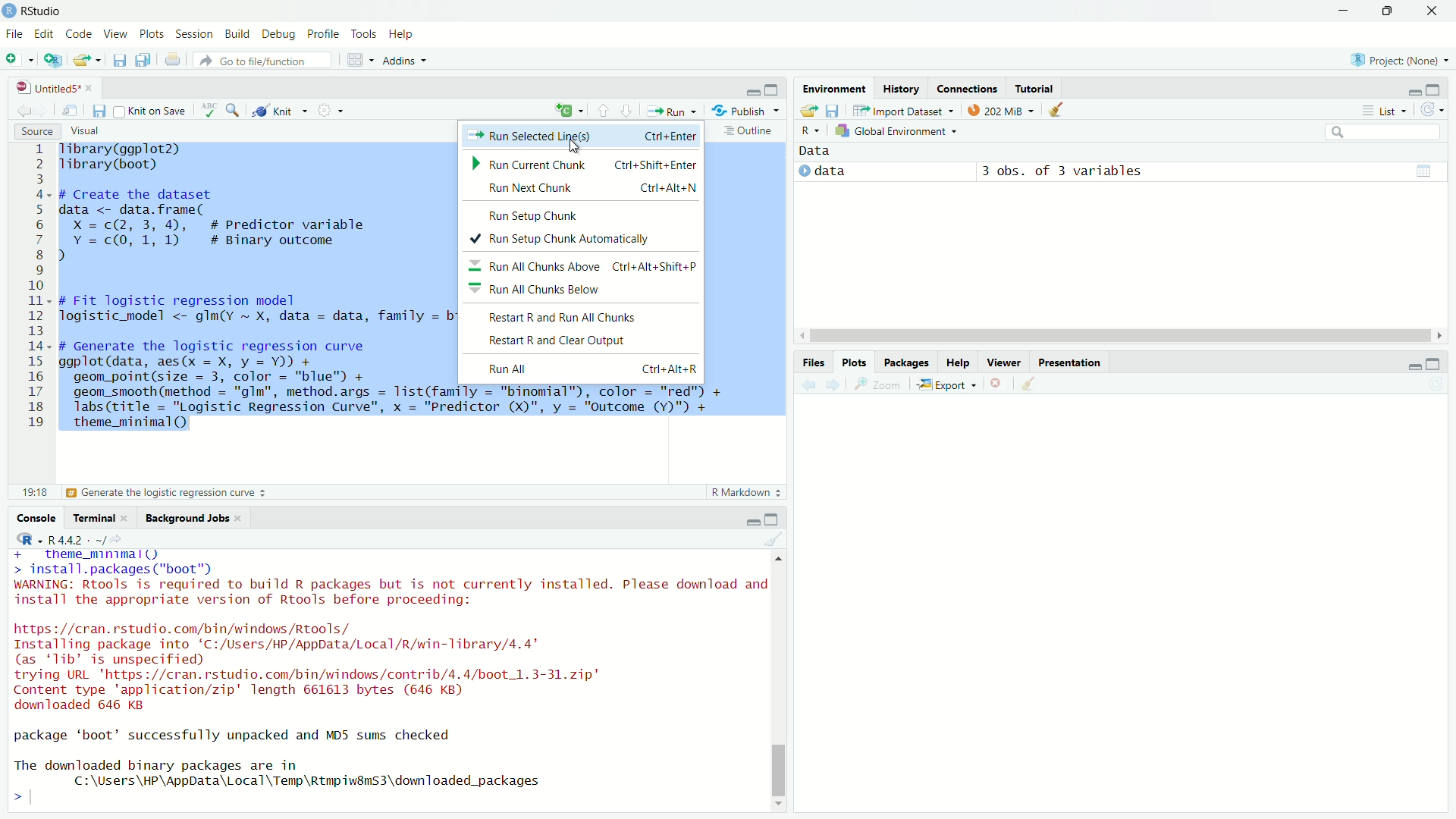  What do you see at coordinates (44, 111) in the screenshot?
I see `Go forward to next source location` at bounding box center [44, 111].